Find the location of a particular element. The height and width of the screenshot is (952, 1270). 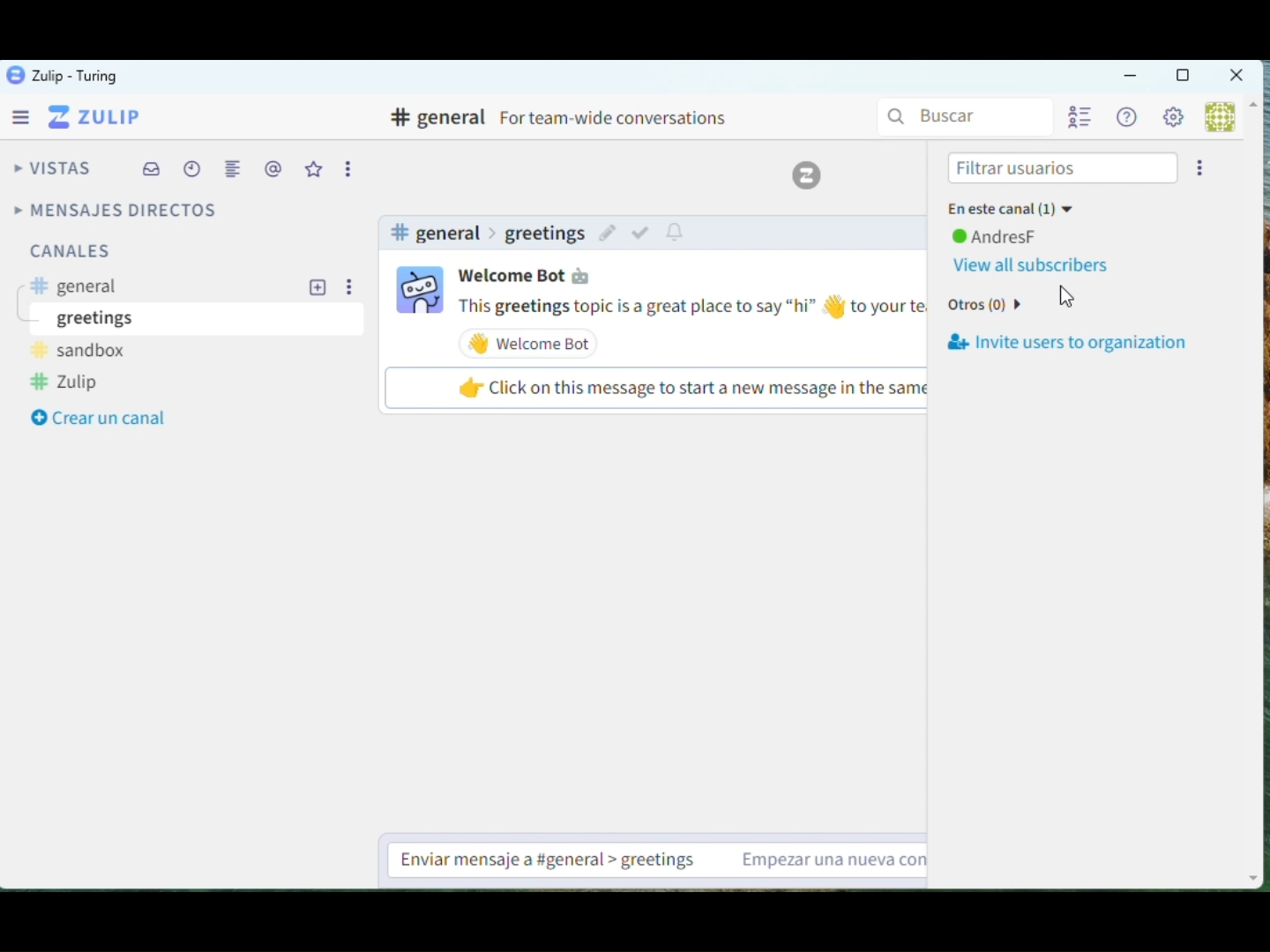

Filter users is located at coordinates (1064, 167).